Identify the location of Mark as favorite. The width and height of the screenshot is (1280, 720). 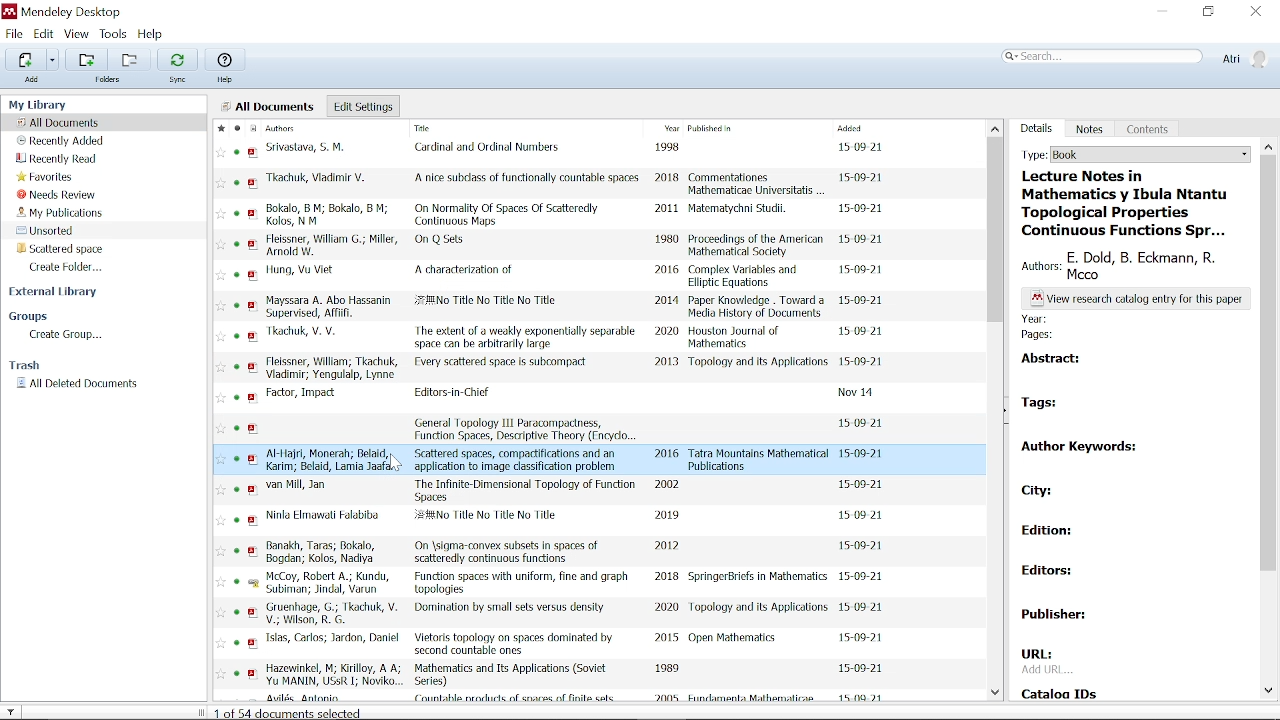
(219, 128).